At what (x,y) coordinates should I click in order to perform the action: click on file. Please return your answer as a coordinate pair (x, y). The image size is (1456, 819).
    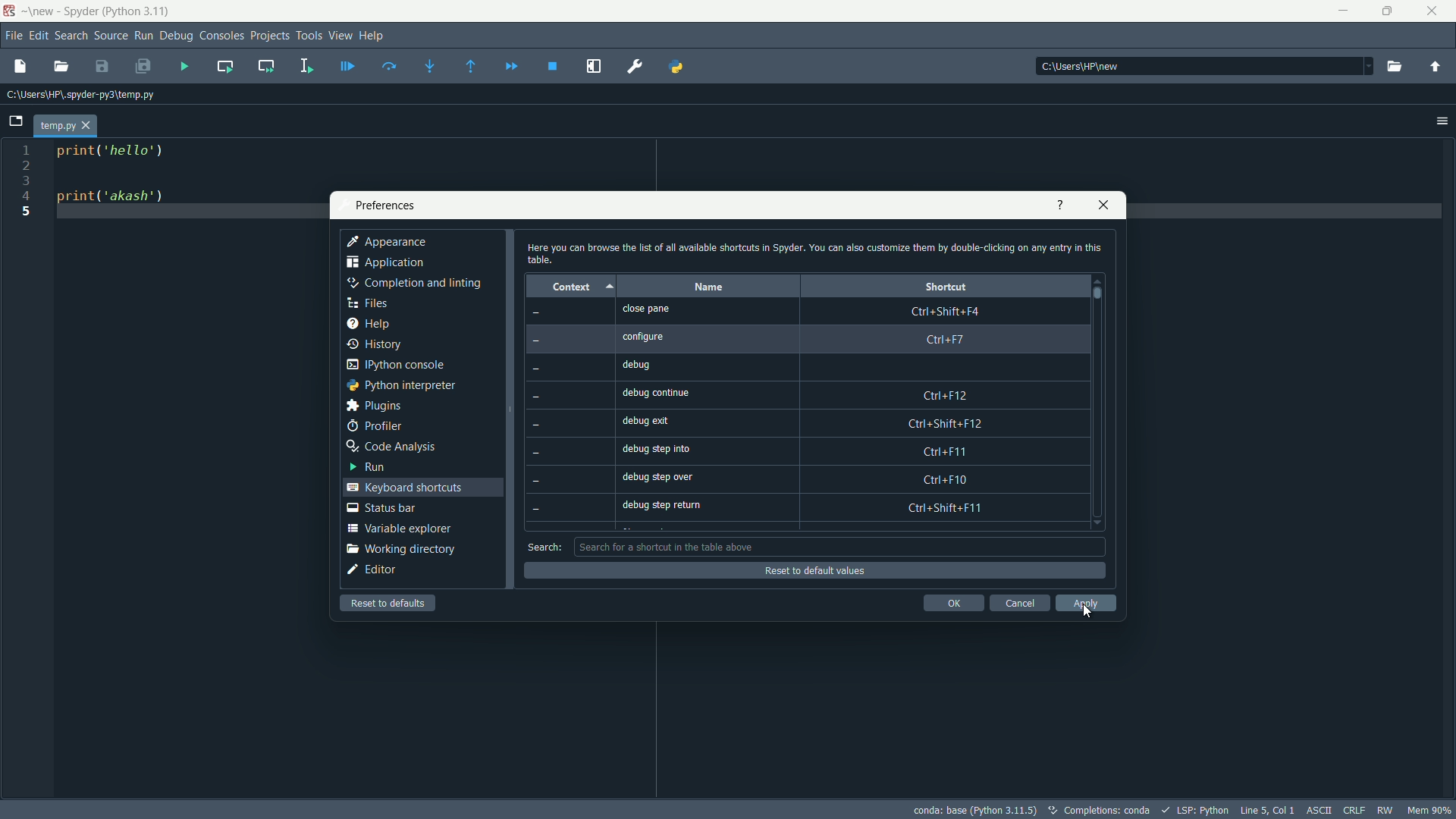
    Looking at the image, I should click on (85, 99).